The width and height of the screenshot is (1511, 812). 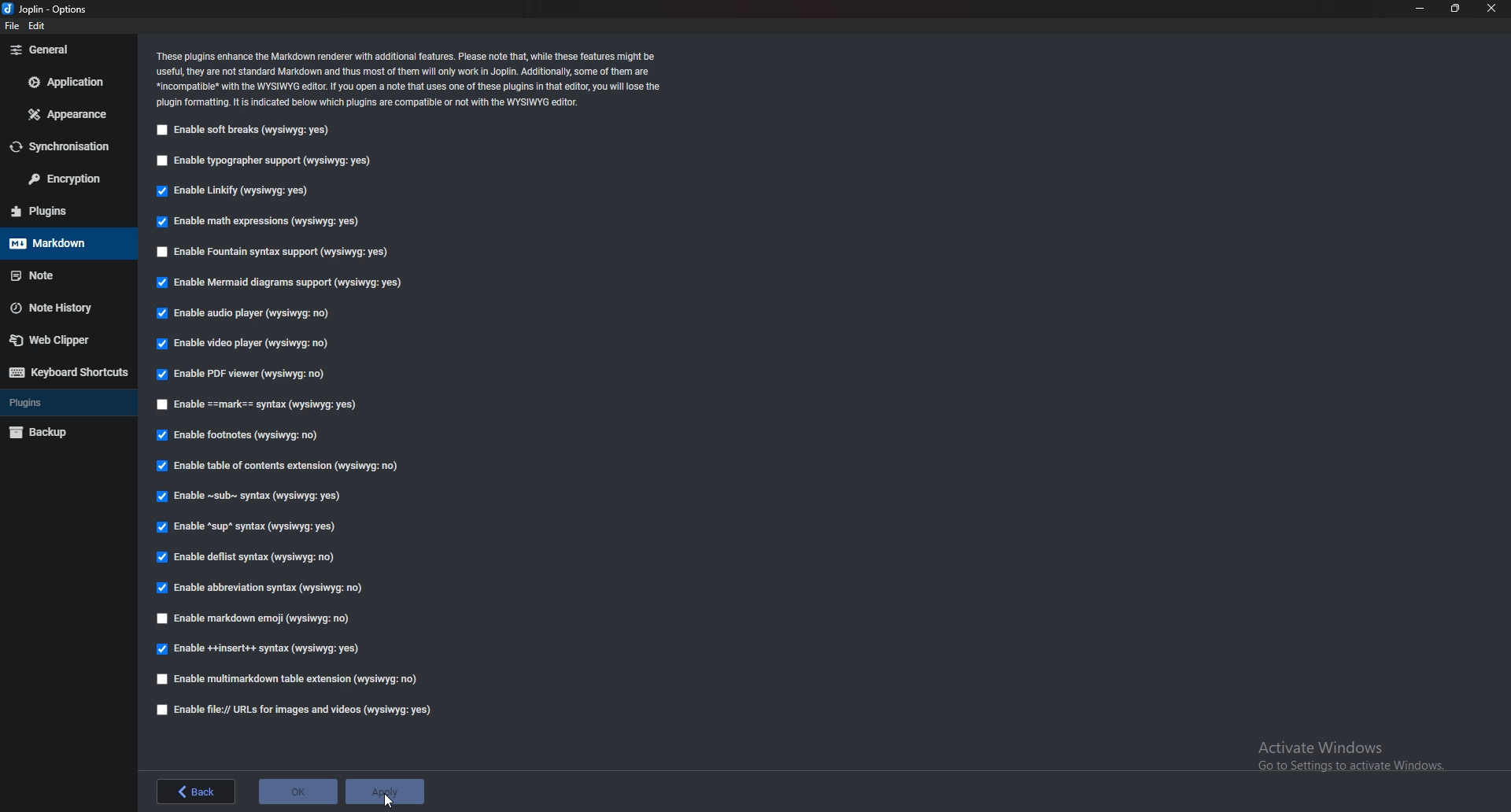 I want to click on appearance, so click(x=68, y=114).